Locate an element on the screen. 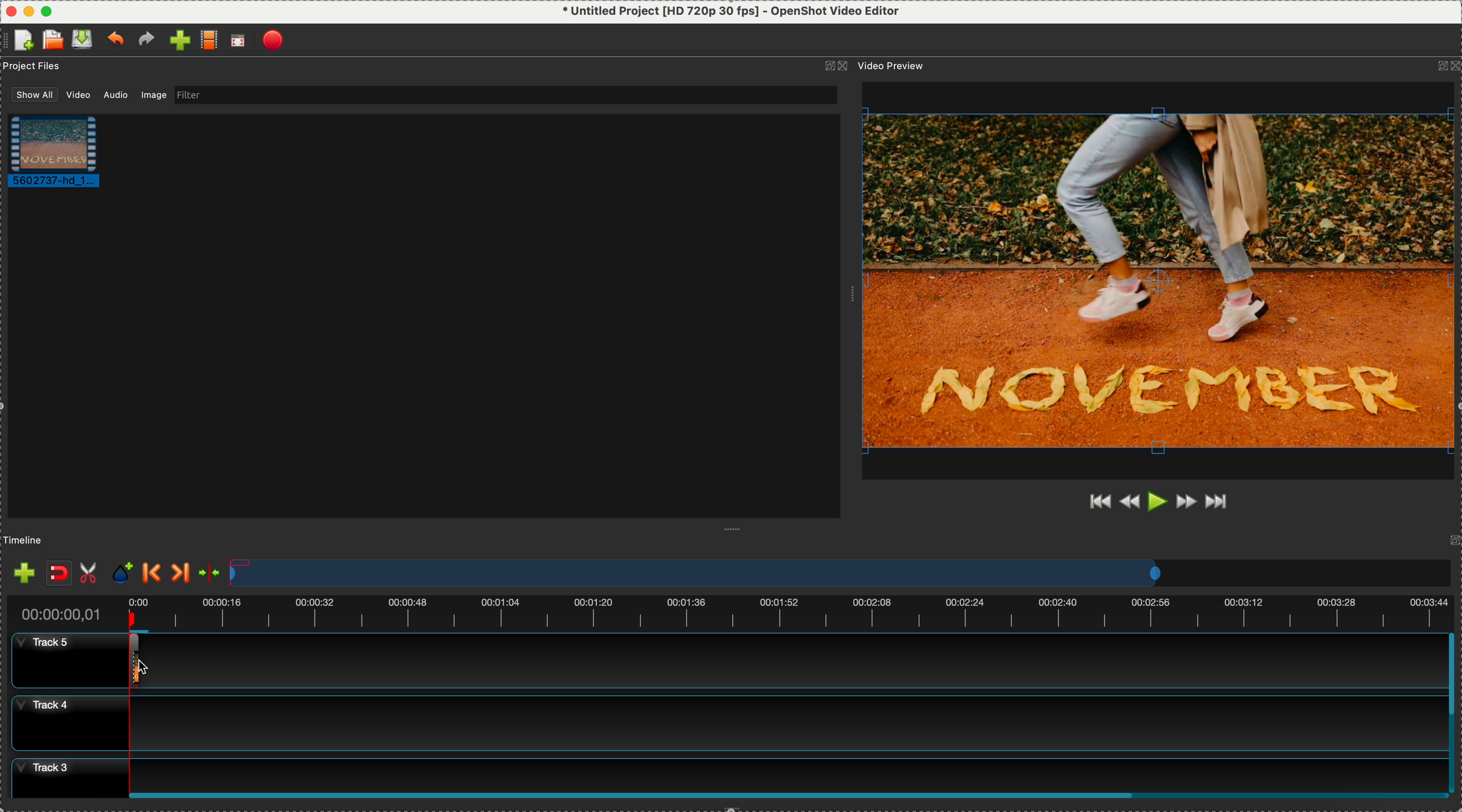  create file is located at coordinates (21, 41).